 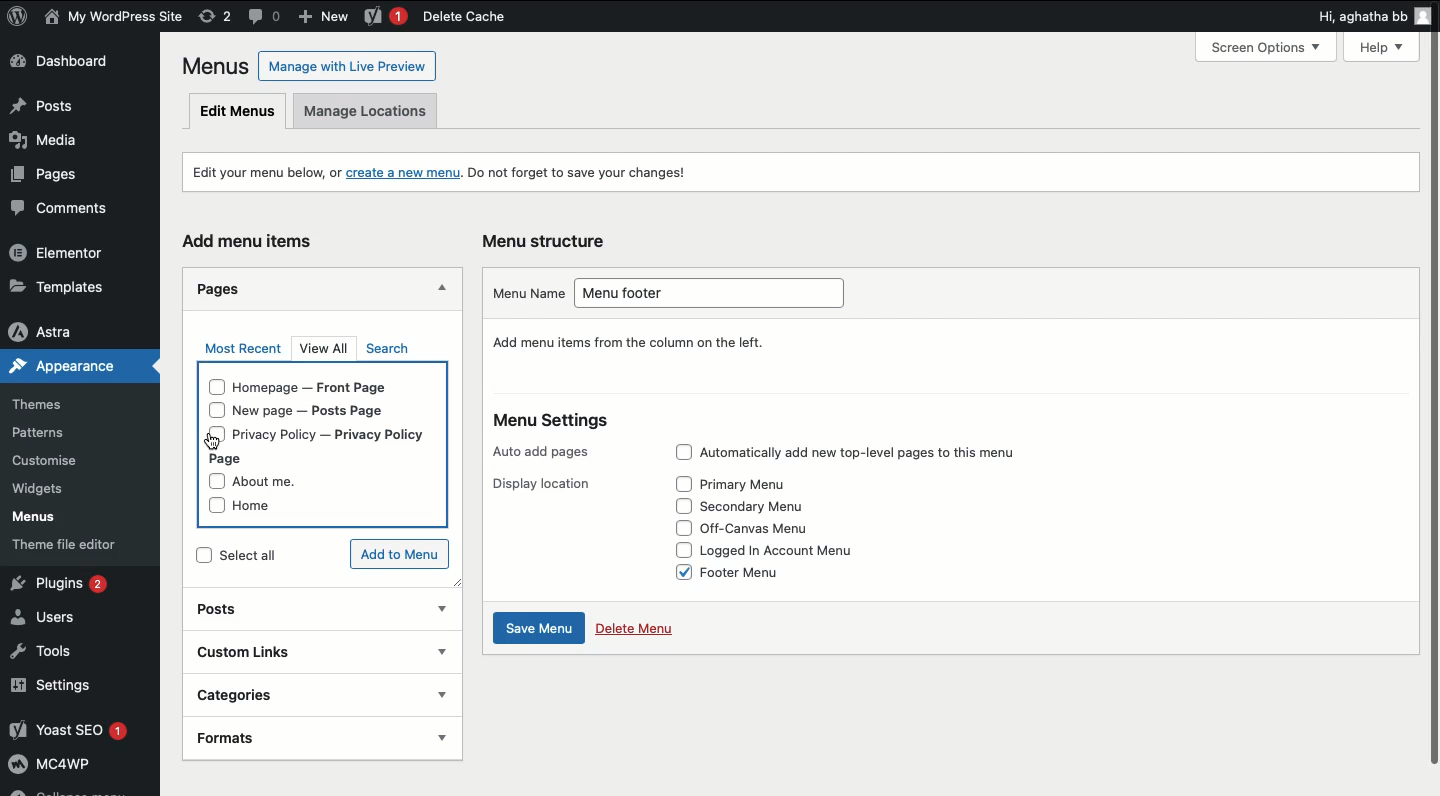 I want to click on Page, so click(x=233, y=458).